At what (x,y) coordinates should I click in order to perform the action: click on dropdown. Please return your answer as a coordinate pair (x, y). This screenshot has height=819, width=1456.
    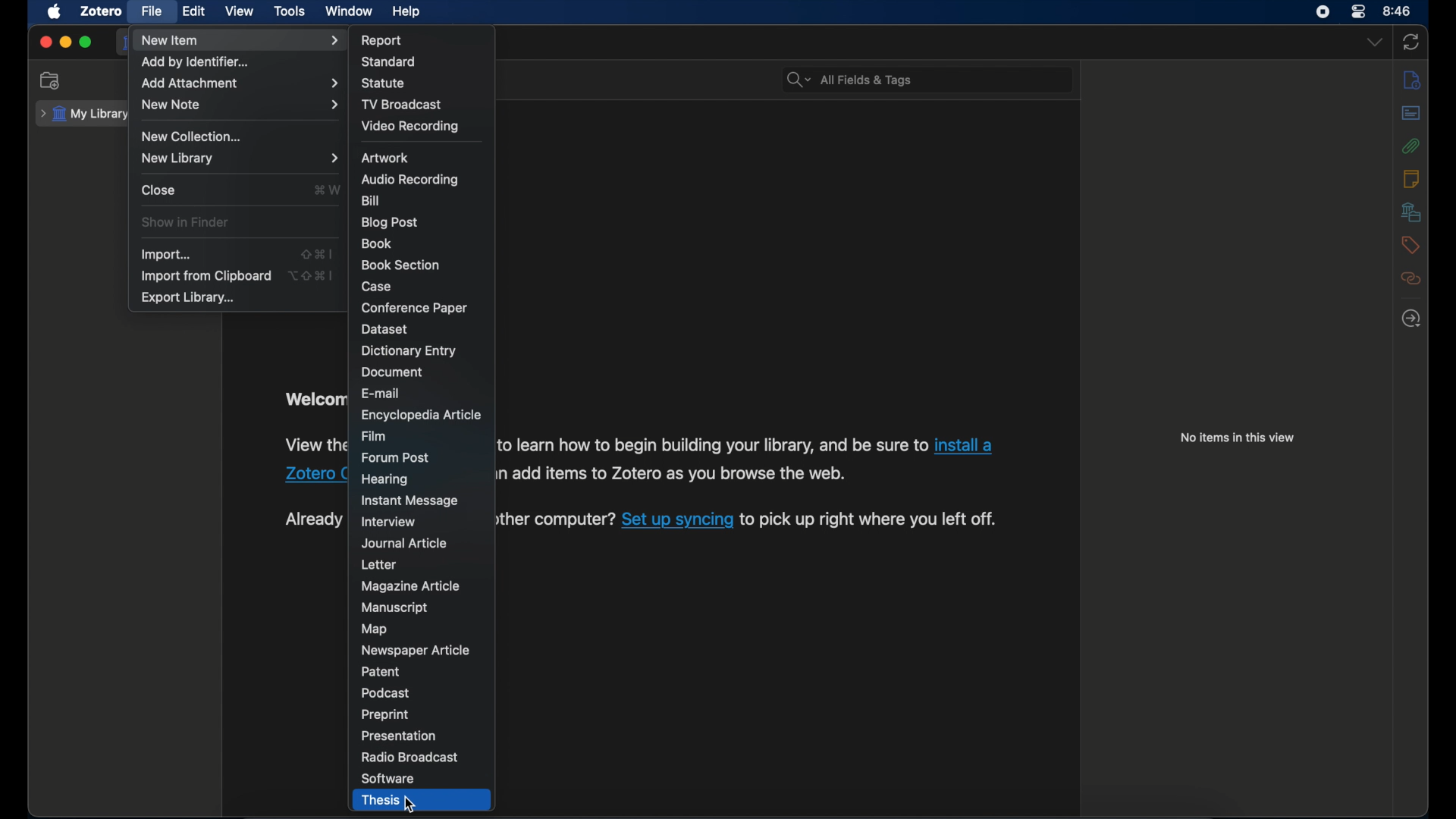
    Looking at the image, I should click on (1378, 42).